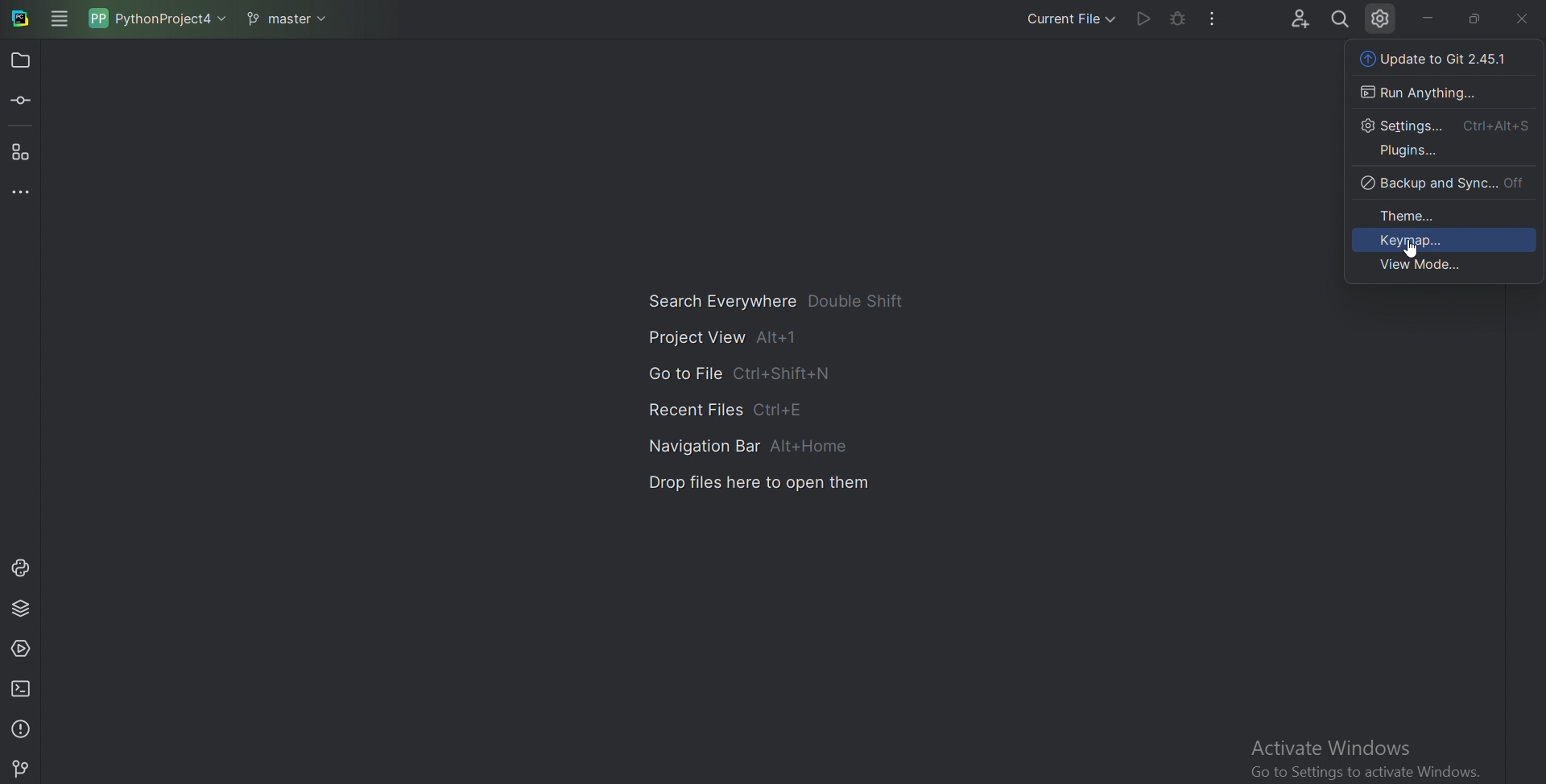  Describe the element at coordinates (1340, 20) in the screenshot. I see `Search Everywhere` at that location.